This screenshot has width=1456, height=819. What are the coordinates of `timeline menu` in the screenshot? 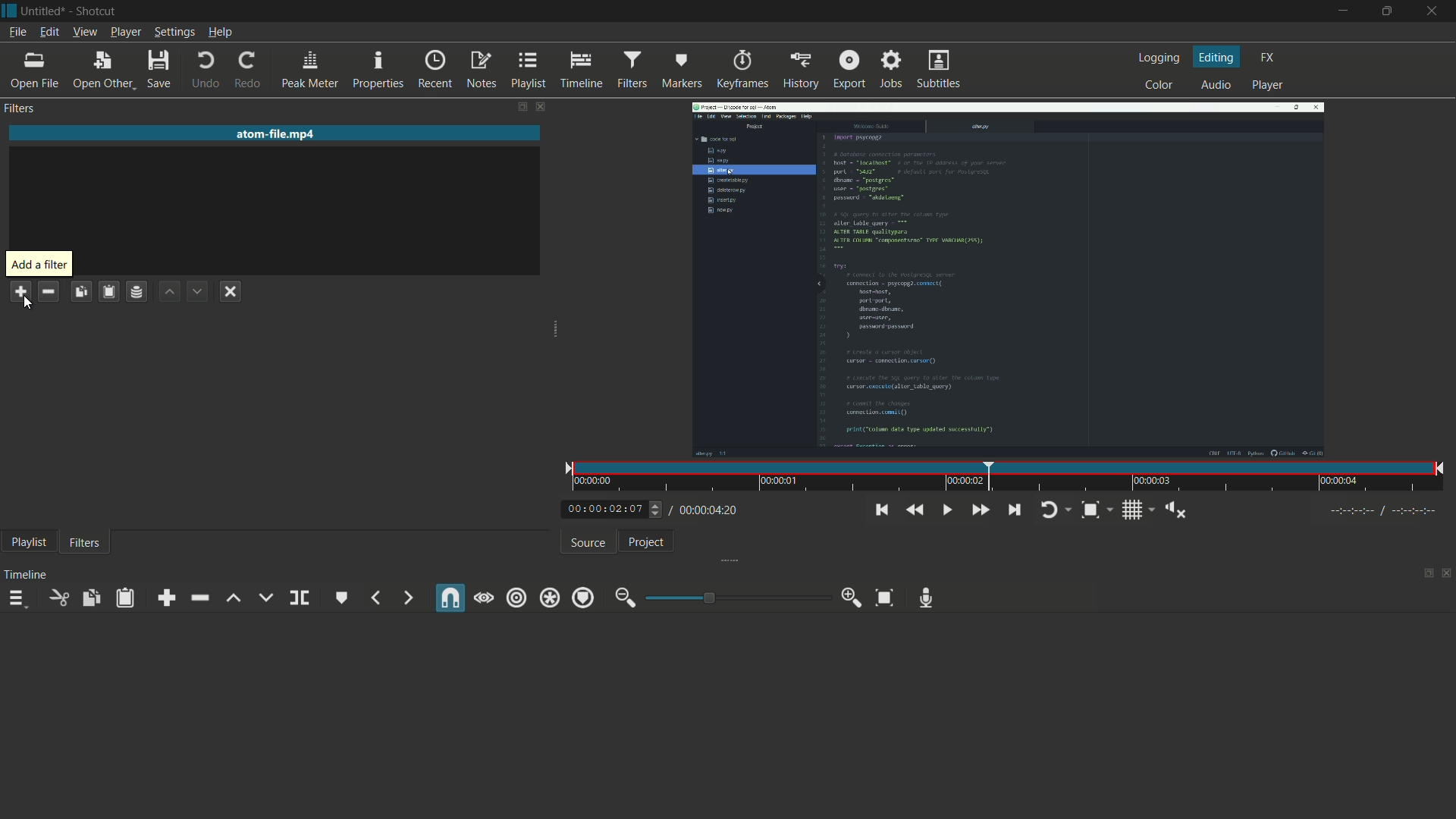 It's located at (16, 598).